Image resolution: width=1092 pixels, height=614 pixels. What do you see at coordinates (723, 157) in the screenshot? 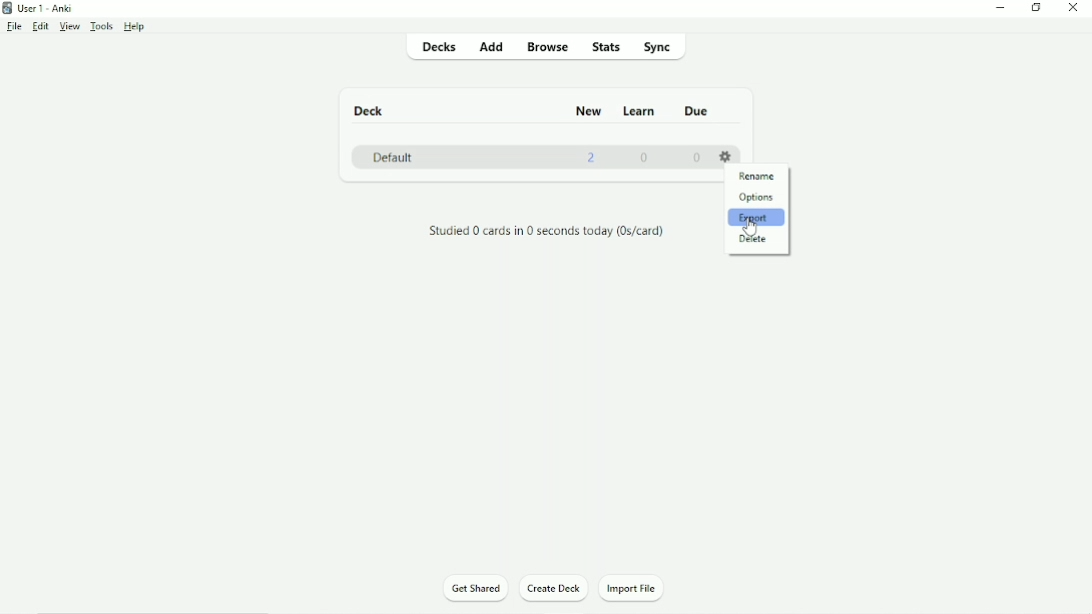
I see `Settings` at bounding box center [723, 157].